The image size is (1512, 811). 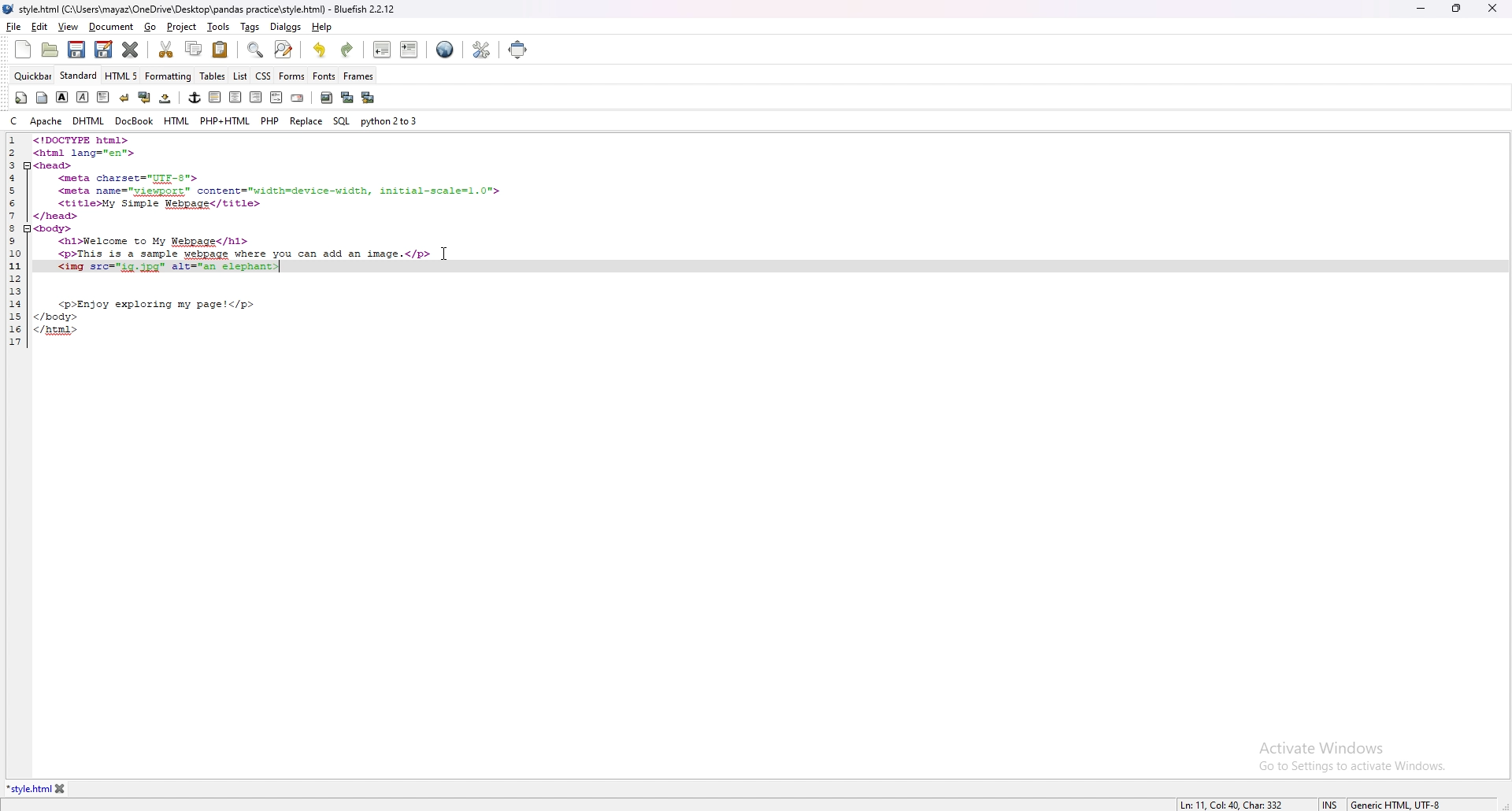 I want to click on forms, so click(x=291, y=76).